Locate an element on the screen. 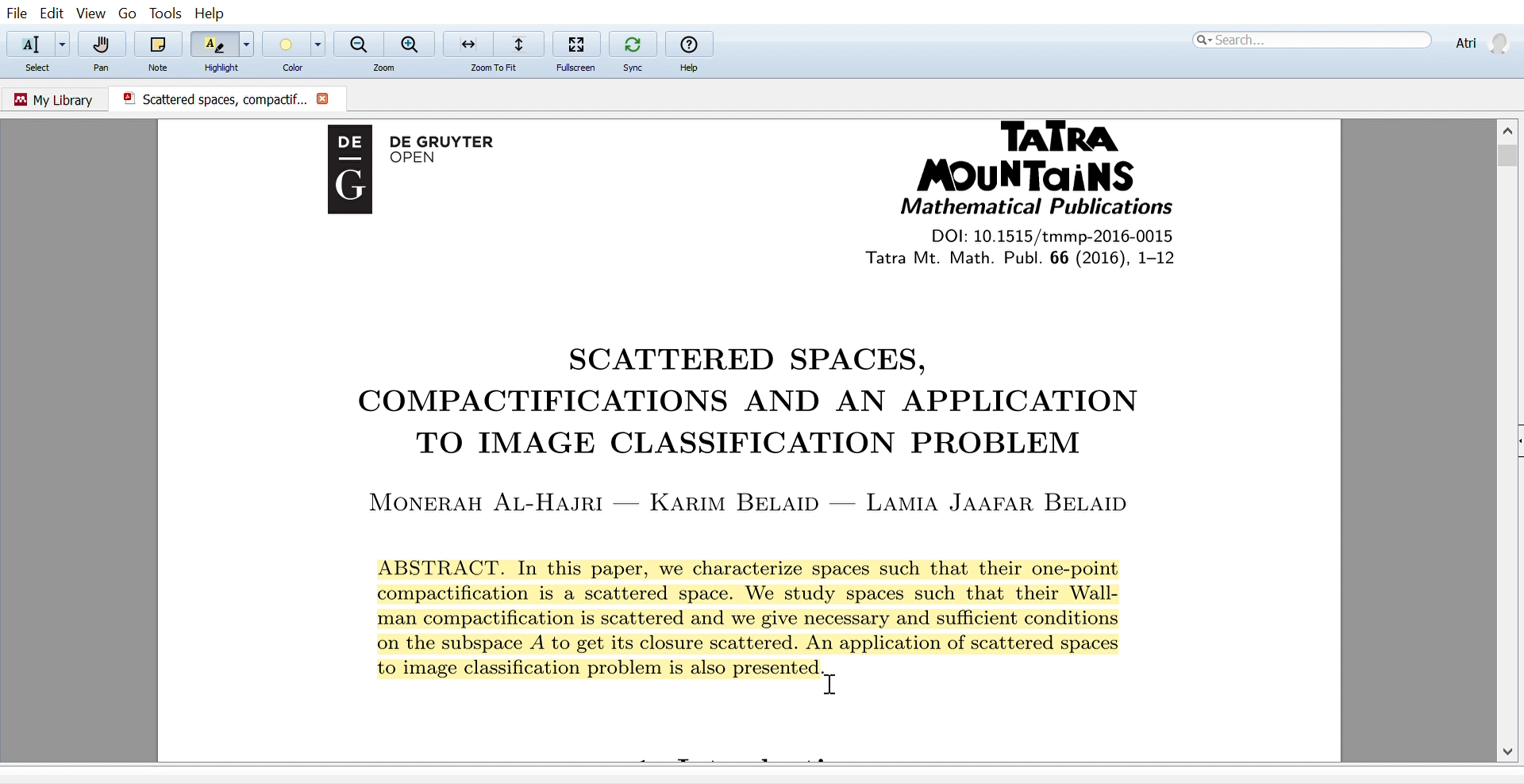  Zoom in is located at coordinates (411, 44).